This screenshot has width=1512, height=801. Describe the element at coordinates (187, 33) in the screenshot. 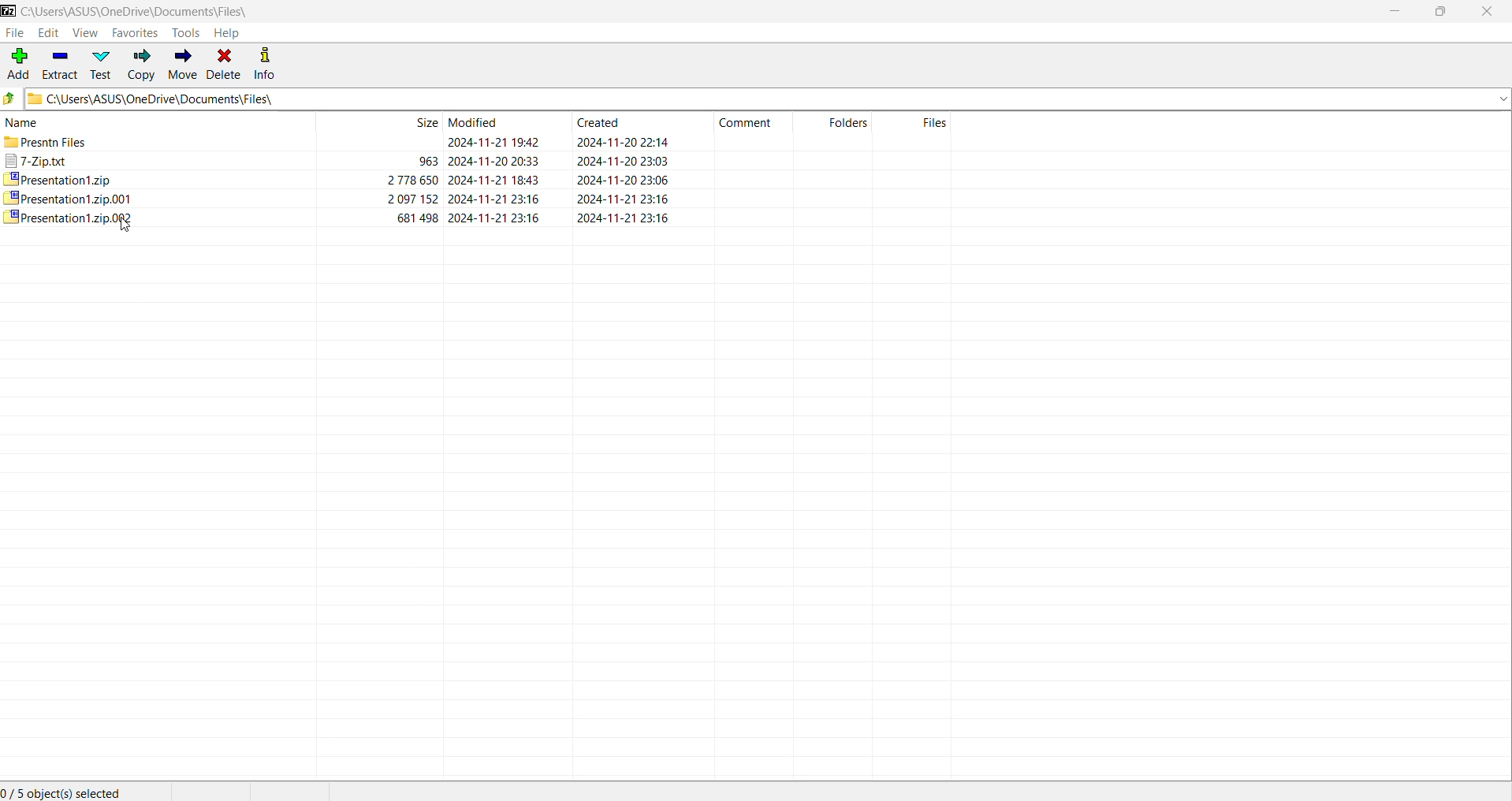

I see `Tools` at that location.